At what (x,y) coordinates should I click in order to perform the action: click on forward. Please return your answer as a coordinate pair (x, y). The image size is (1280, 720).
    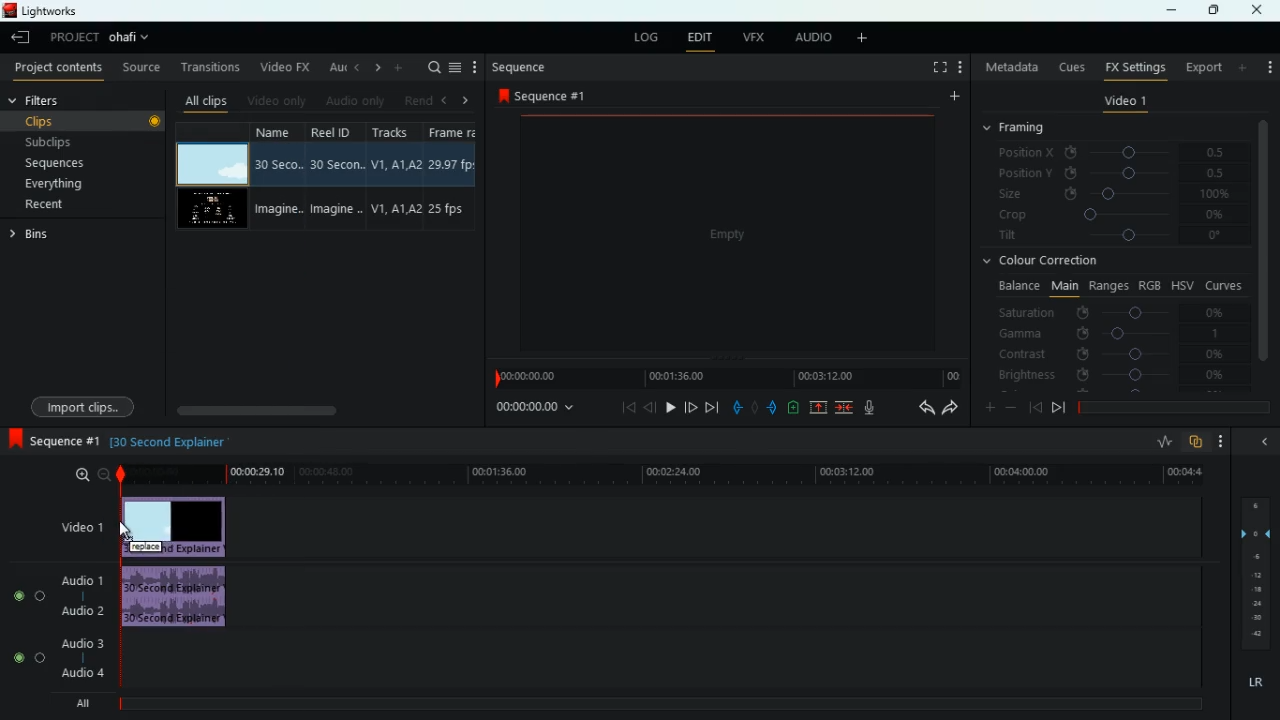
    Looking at the image, I should click on (691, 407).